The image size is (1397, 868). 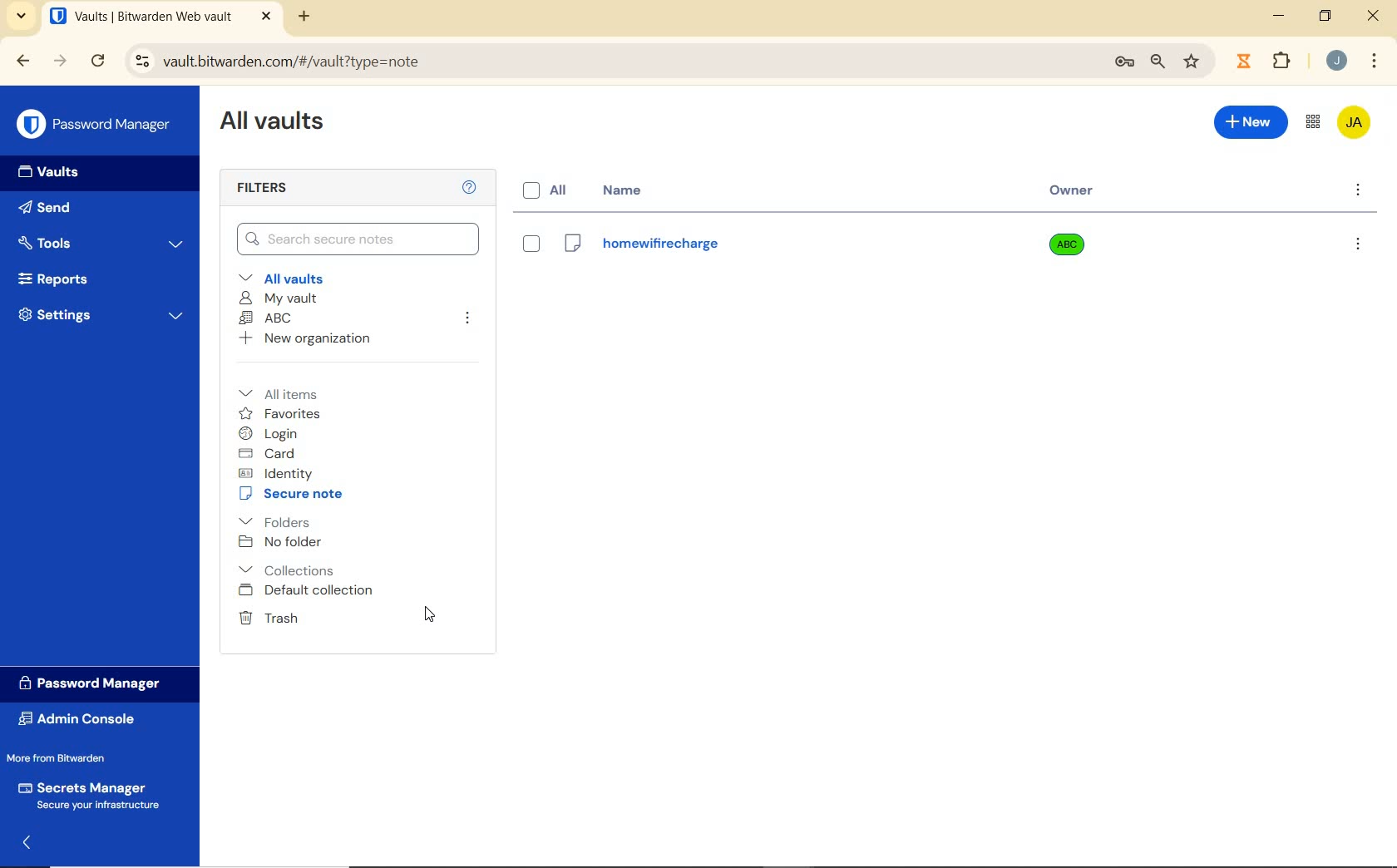 I want to click on forward, so click(x=60, y=61).